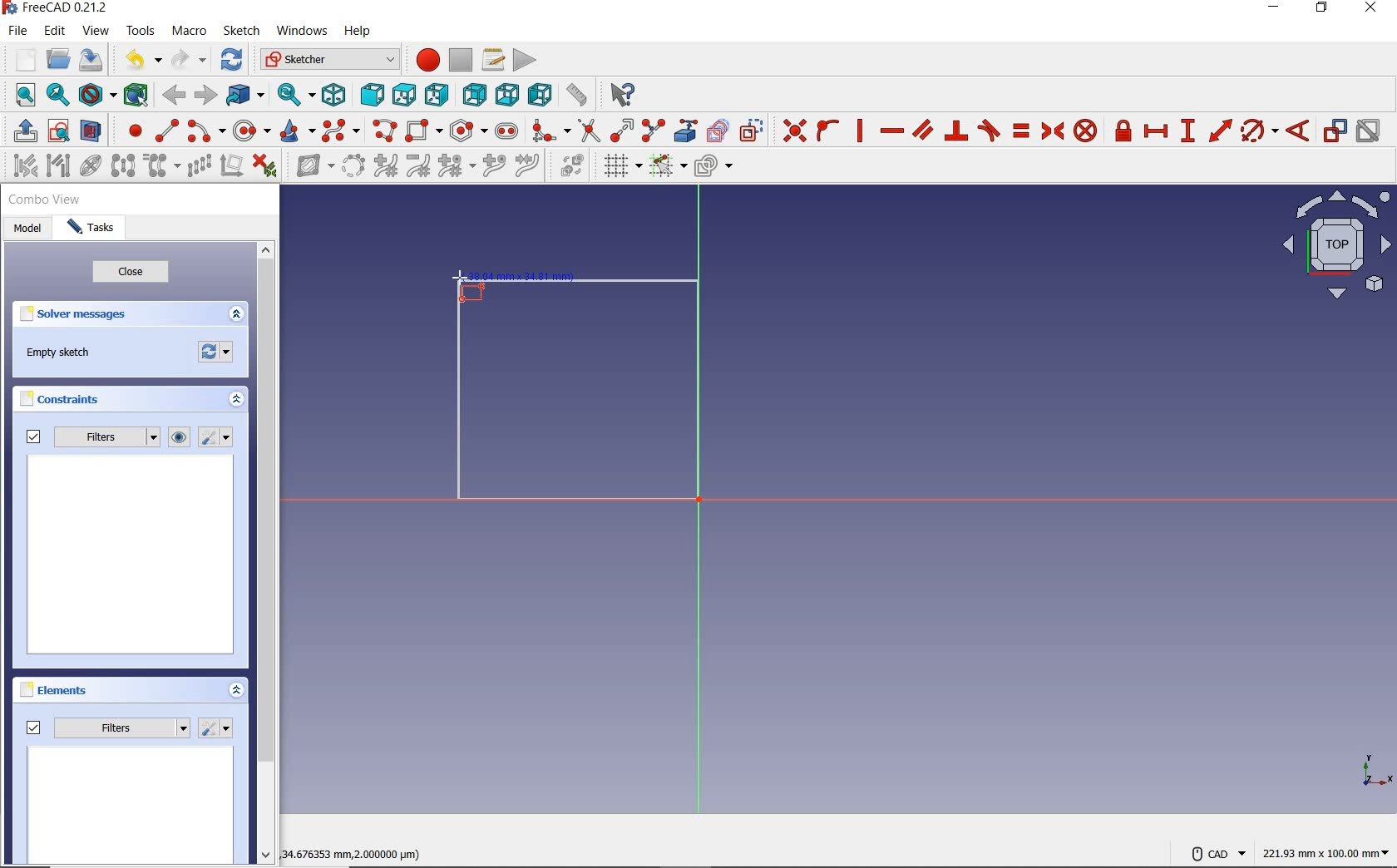  Describe the element at coordinates (461, 61) in the screenshot. I see `stop macro recording` at that location.